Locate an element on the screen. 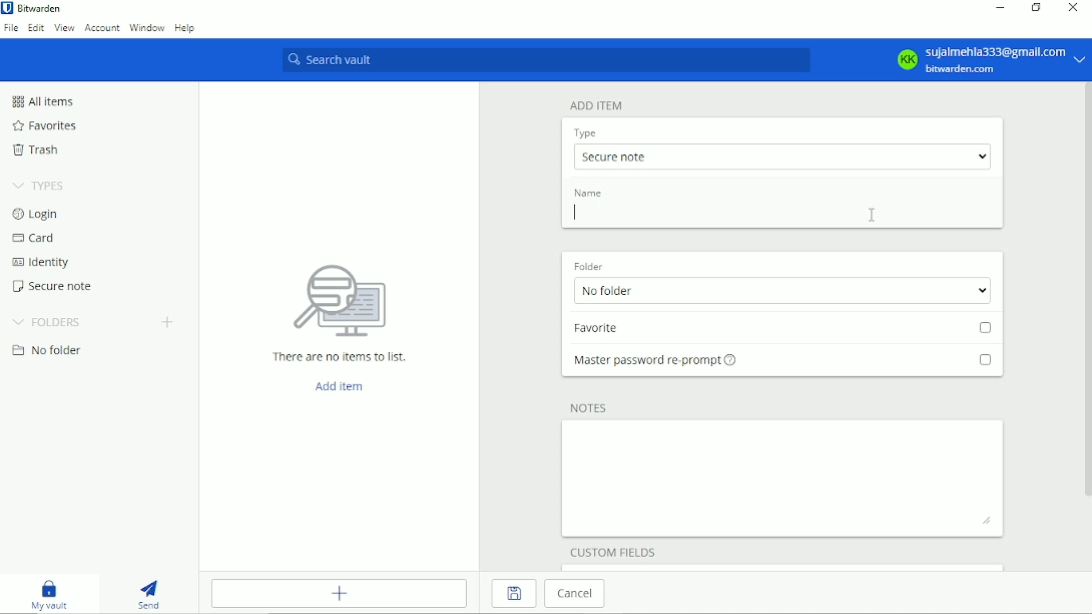 The image size is (1092, 614). Send is located at coordinates (150, 593).